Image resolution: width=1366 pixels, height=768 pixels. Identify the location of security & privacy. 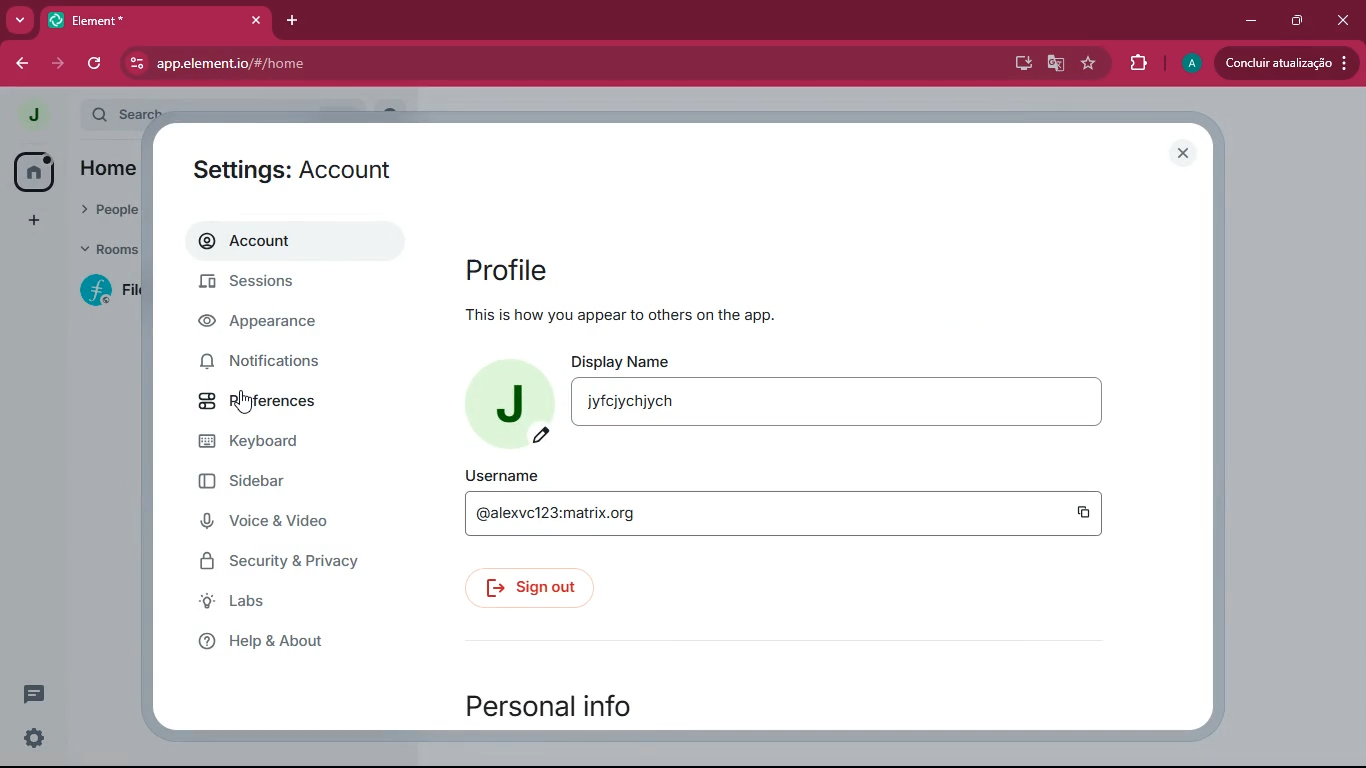
(292, 559).